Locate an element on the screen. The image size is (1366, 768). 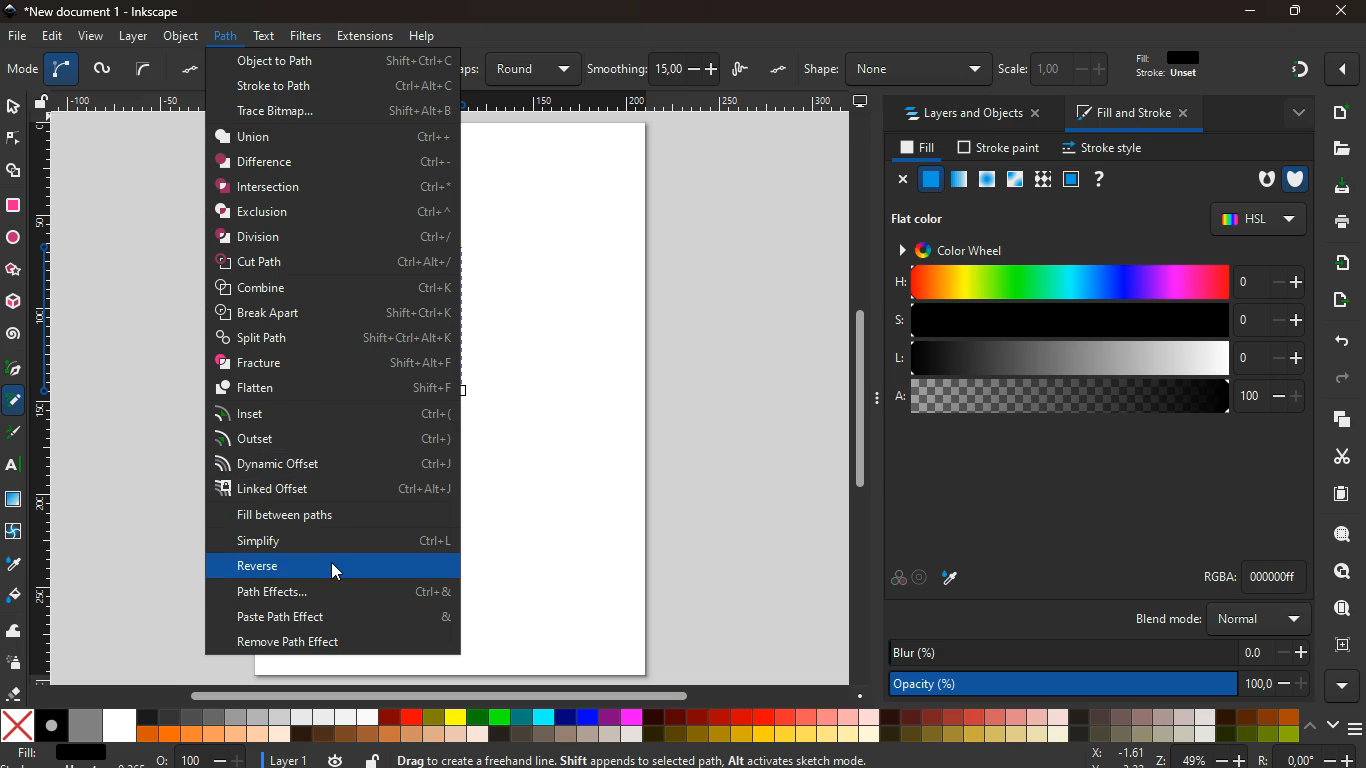
frame is located at coordinates (1344, 572).